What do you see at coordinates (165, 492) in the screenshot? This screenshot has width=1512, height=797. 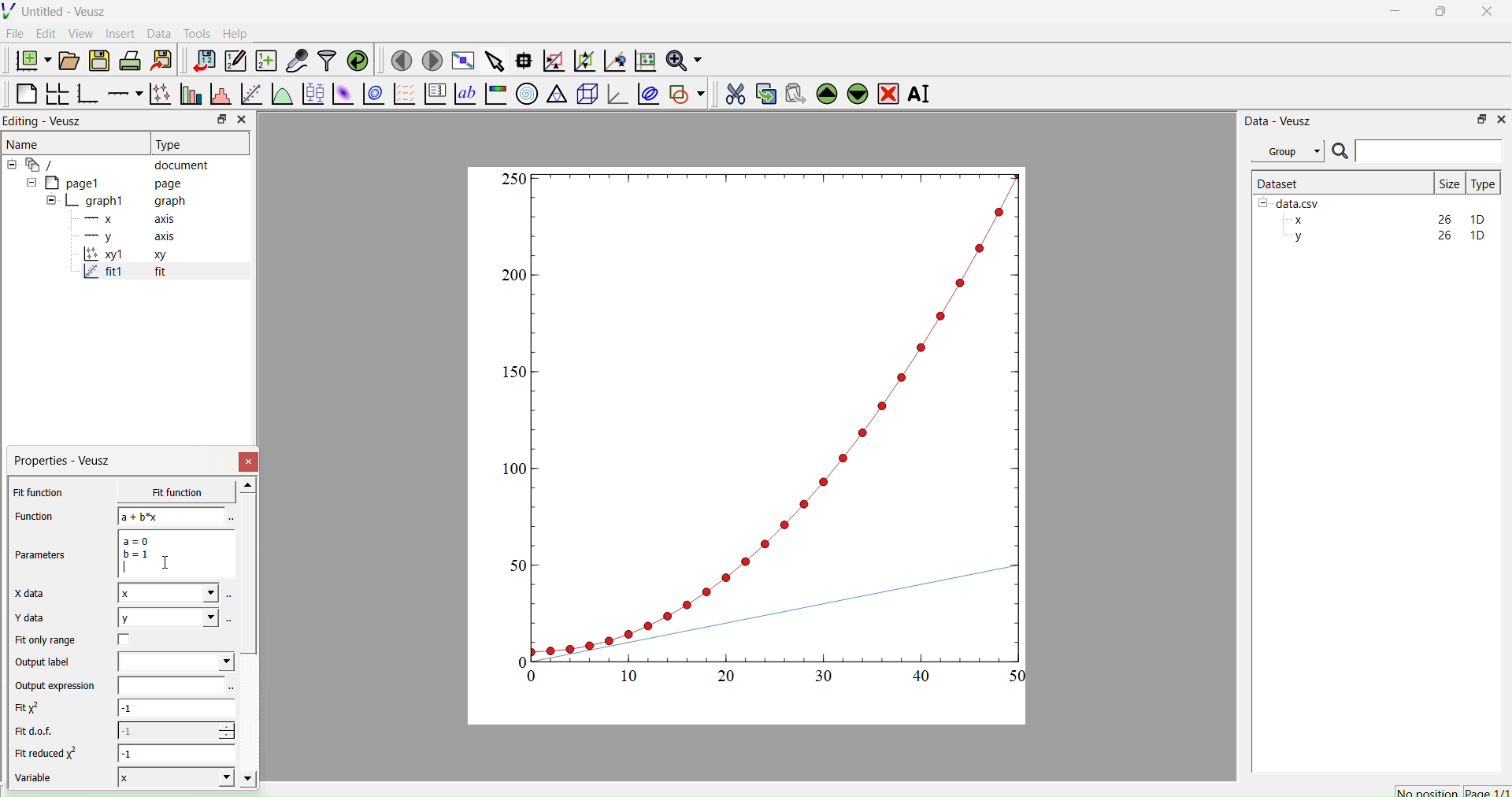 I see `x` at bounding box center [165, 492].